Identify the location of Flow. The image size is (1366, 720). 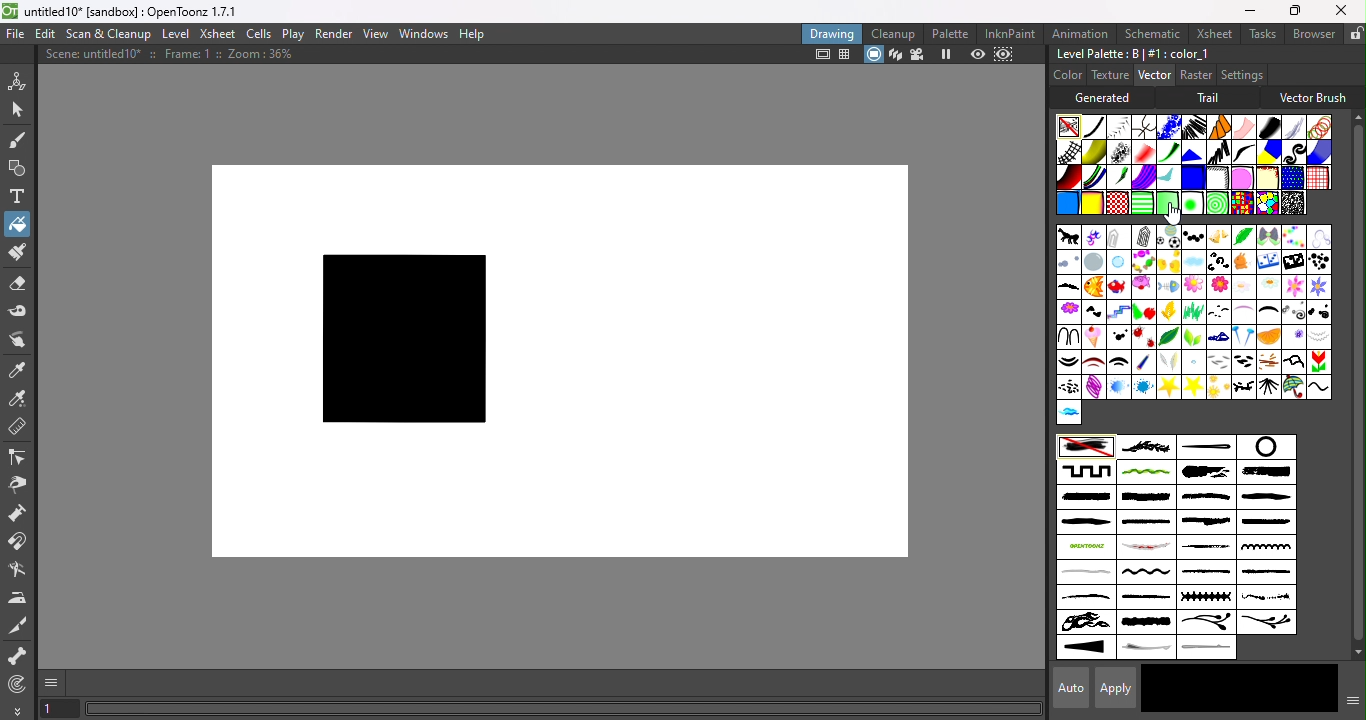
(1217, 287).